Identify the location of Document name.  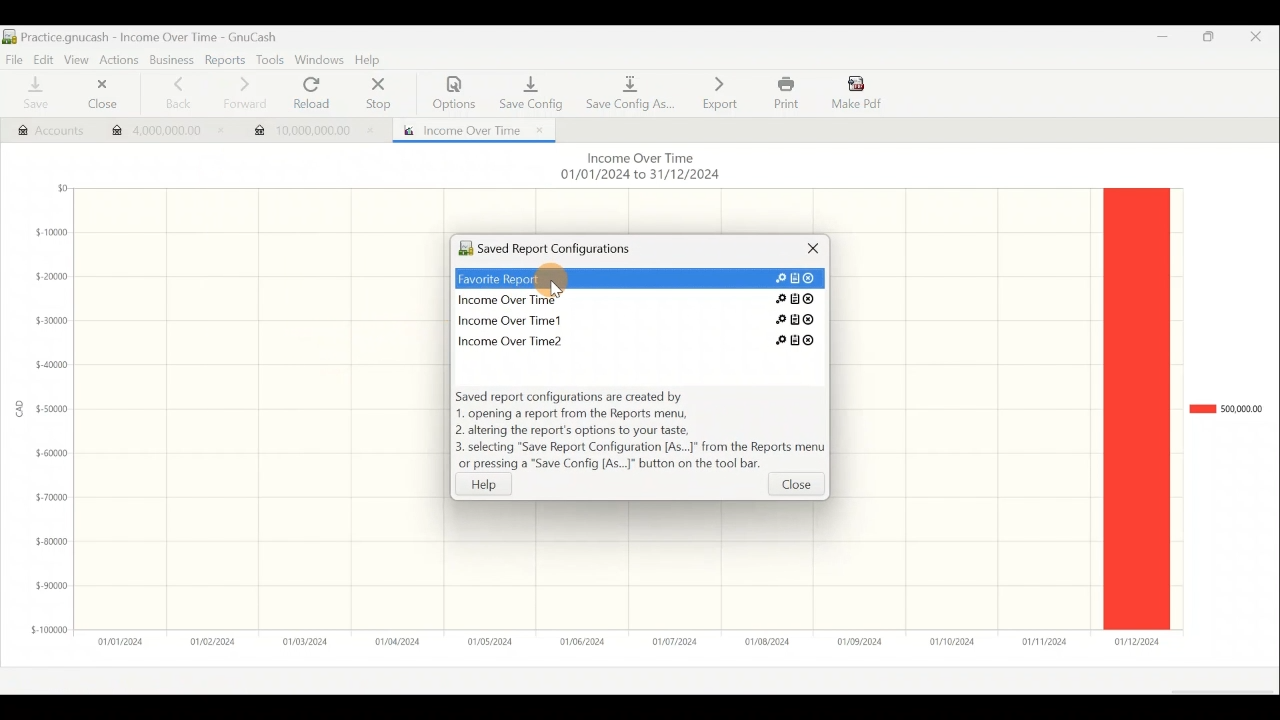
(150, 37).